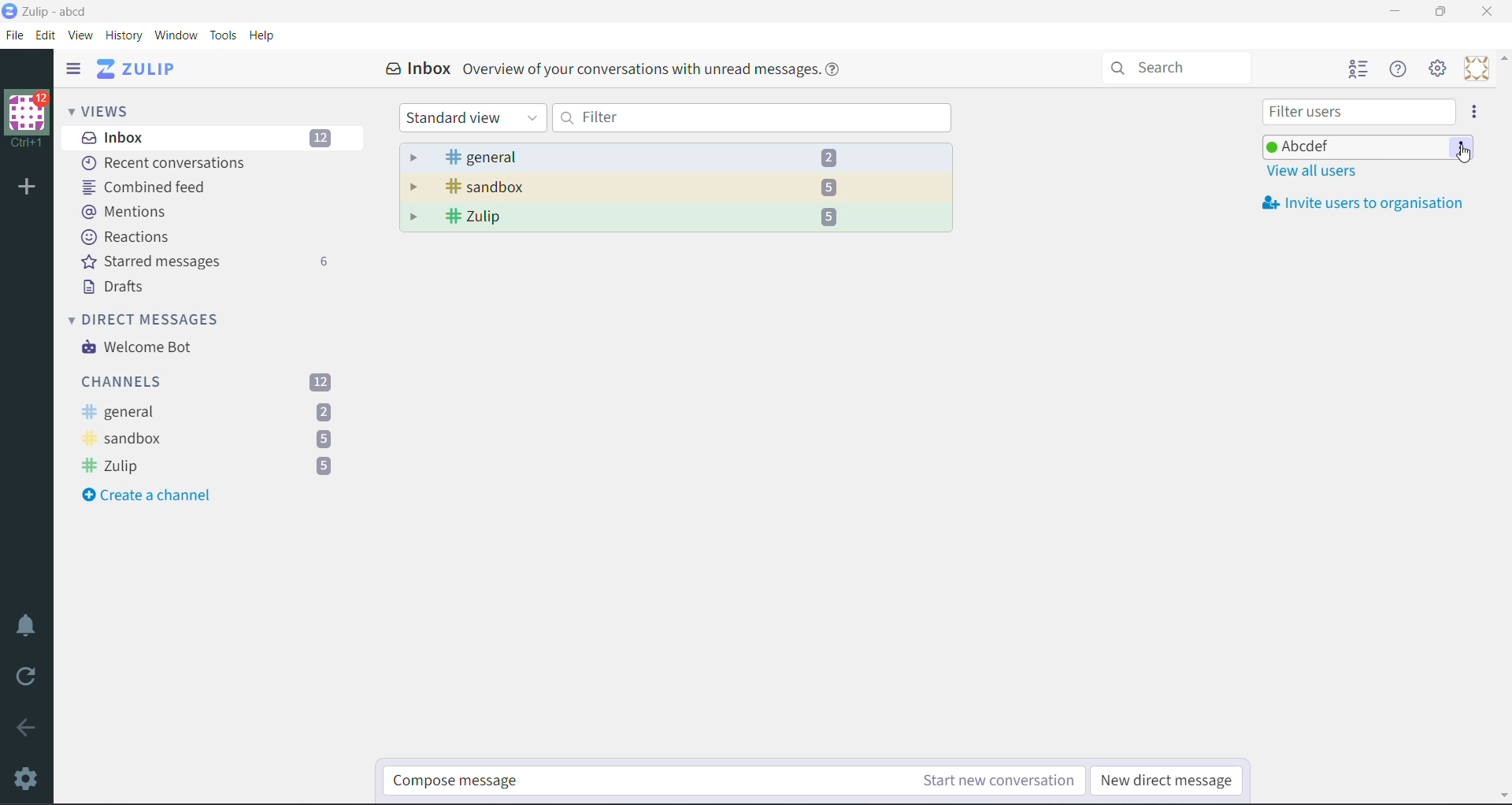 Image resolution: width=1512 pixels, height=805 pixels. What do you see at coordinates (1354, 143) in the screenshot?
I see `User (Abcdef) and status` at bounding box center [1354, 143].